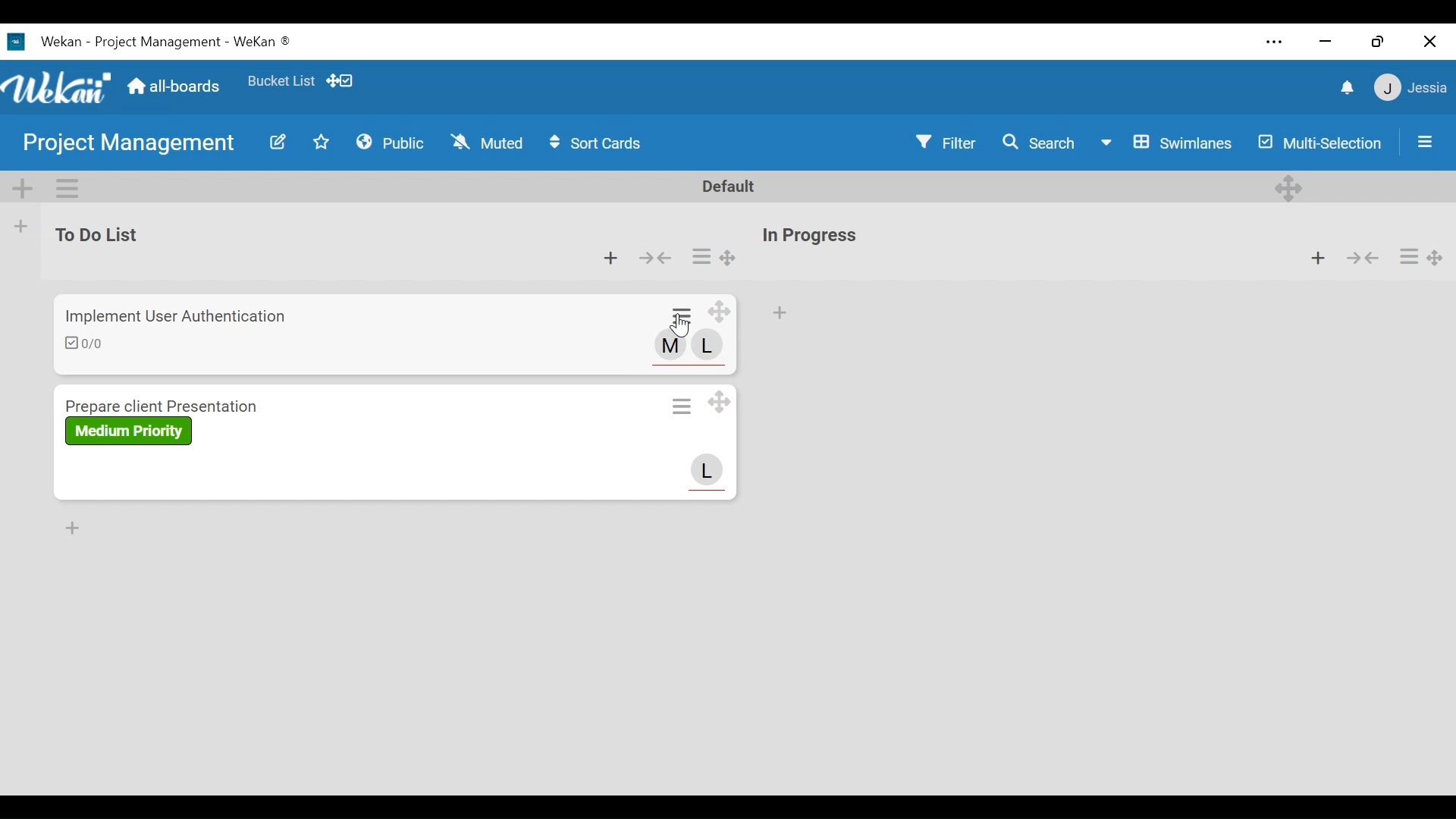  What do you see at coordinates (682, 406) in the screenshot?
I see `Card actions` at bounding box center [682, 406].